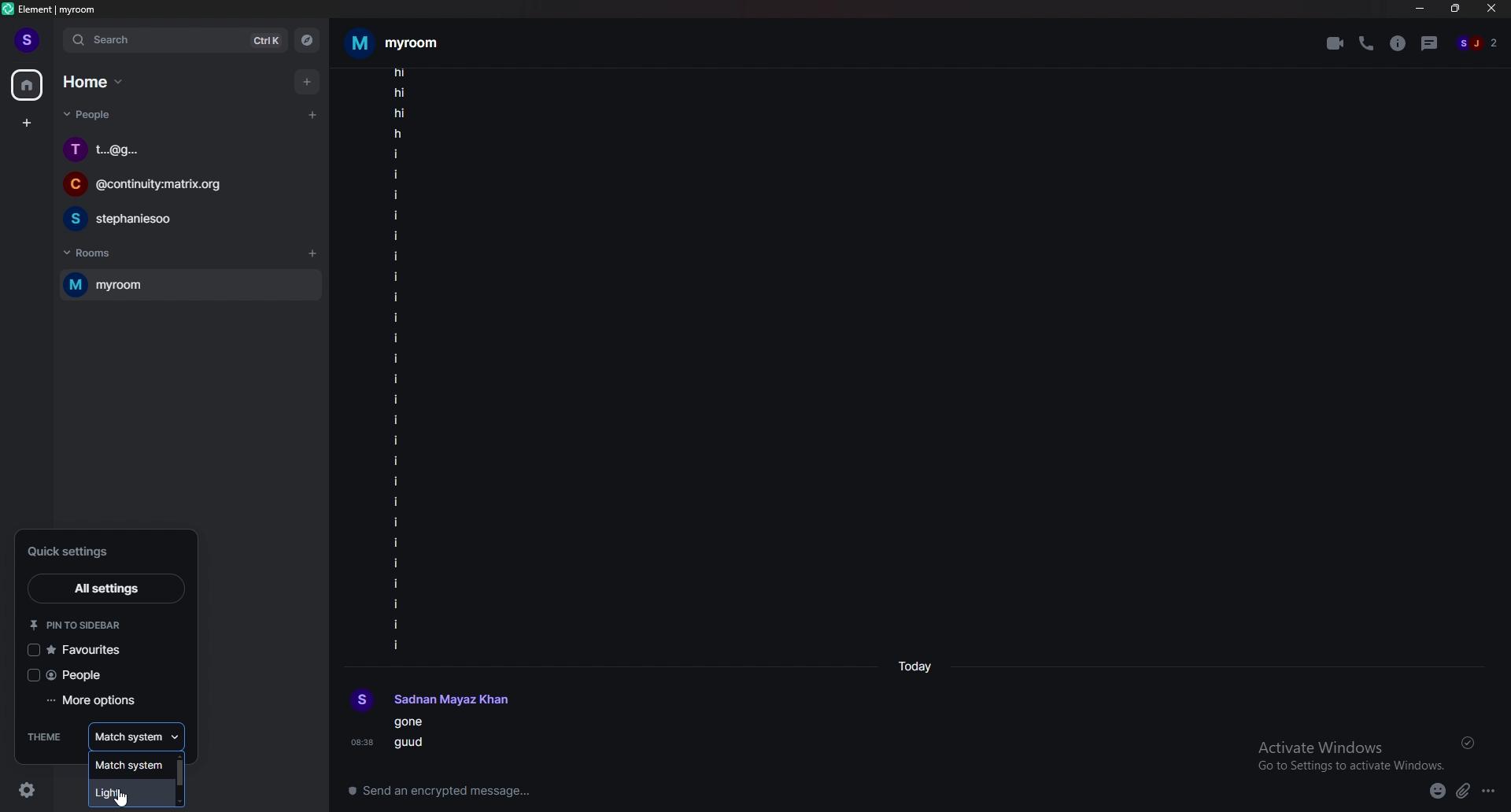  What do you see at coordinates (126, 792) in the screenshot?
I see `theme` at bounding box center [126, 792].